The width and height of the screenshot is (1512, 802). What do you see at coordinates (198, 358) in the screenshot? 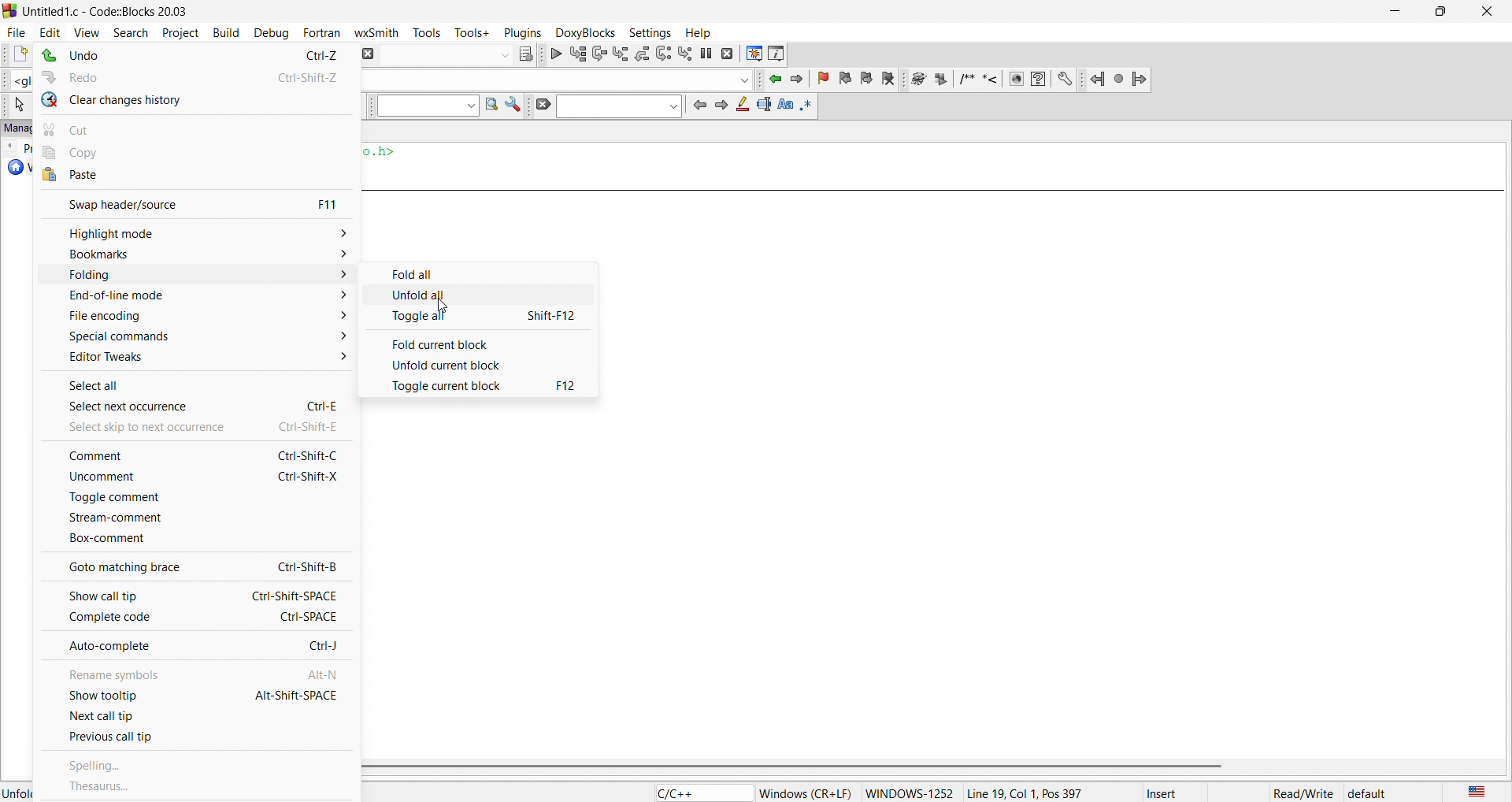
I see `editor tweaks` at bounding box center [198, 358].